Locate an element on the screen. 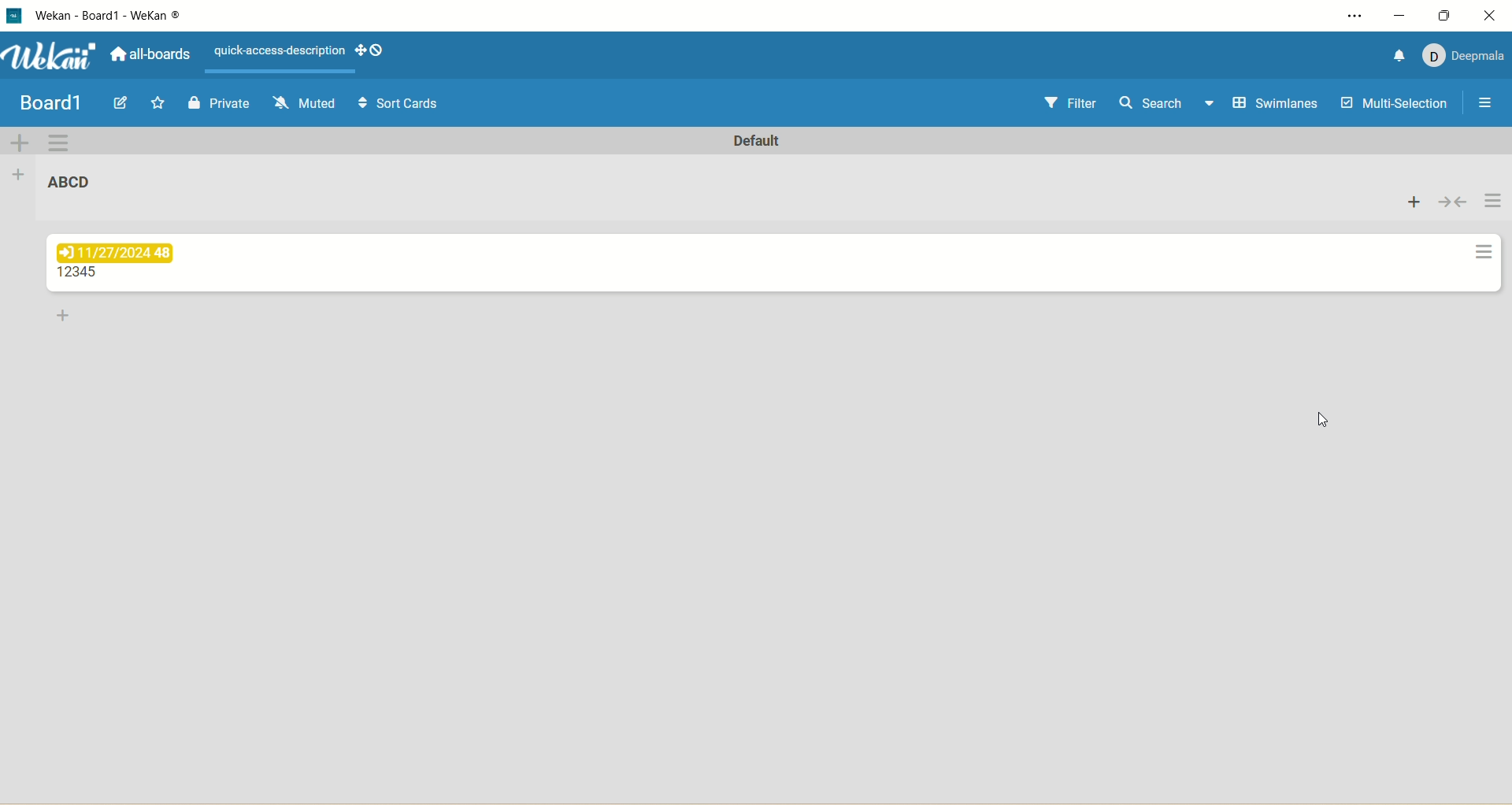 Image resolution: width=1512 pixels, height=805 pixels. show-desktop-drag- is located at coordinates (370, 50).